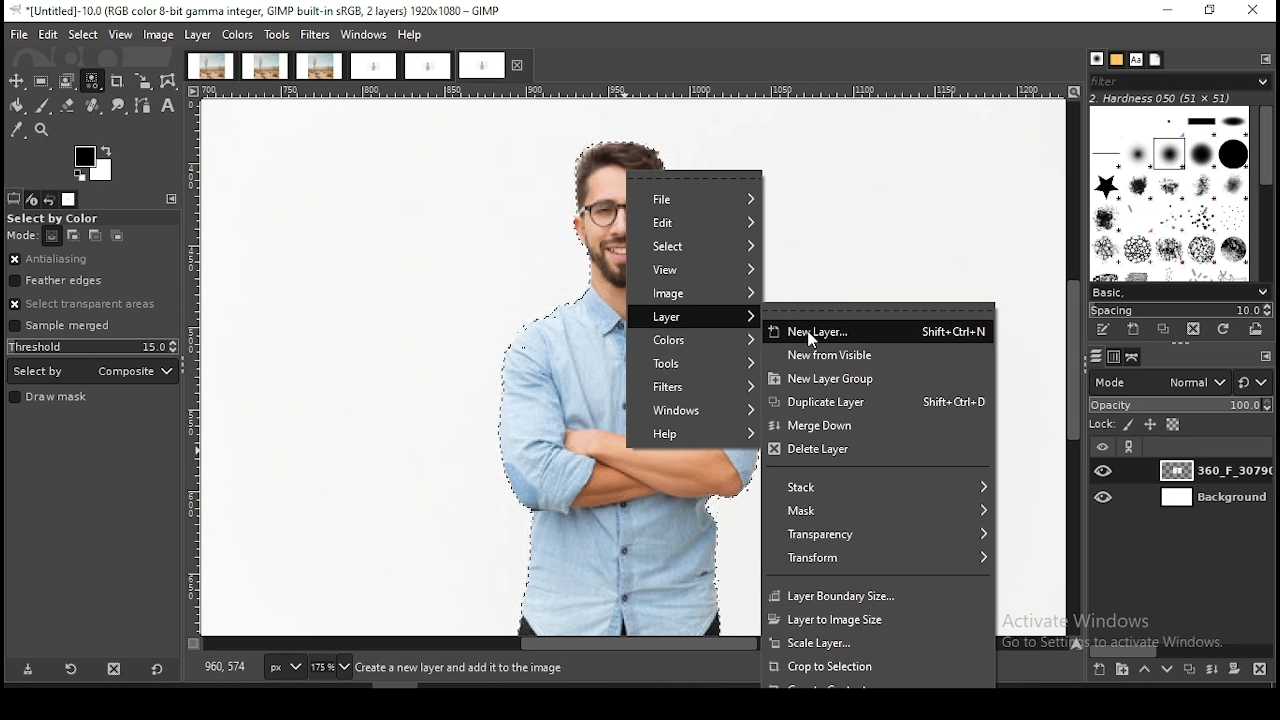 Image resolution: width=1280 pixels, height=720 pixels. Describe the element at coordinates (1136, 60) in the screenshot. I see `fonts` at that location.